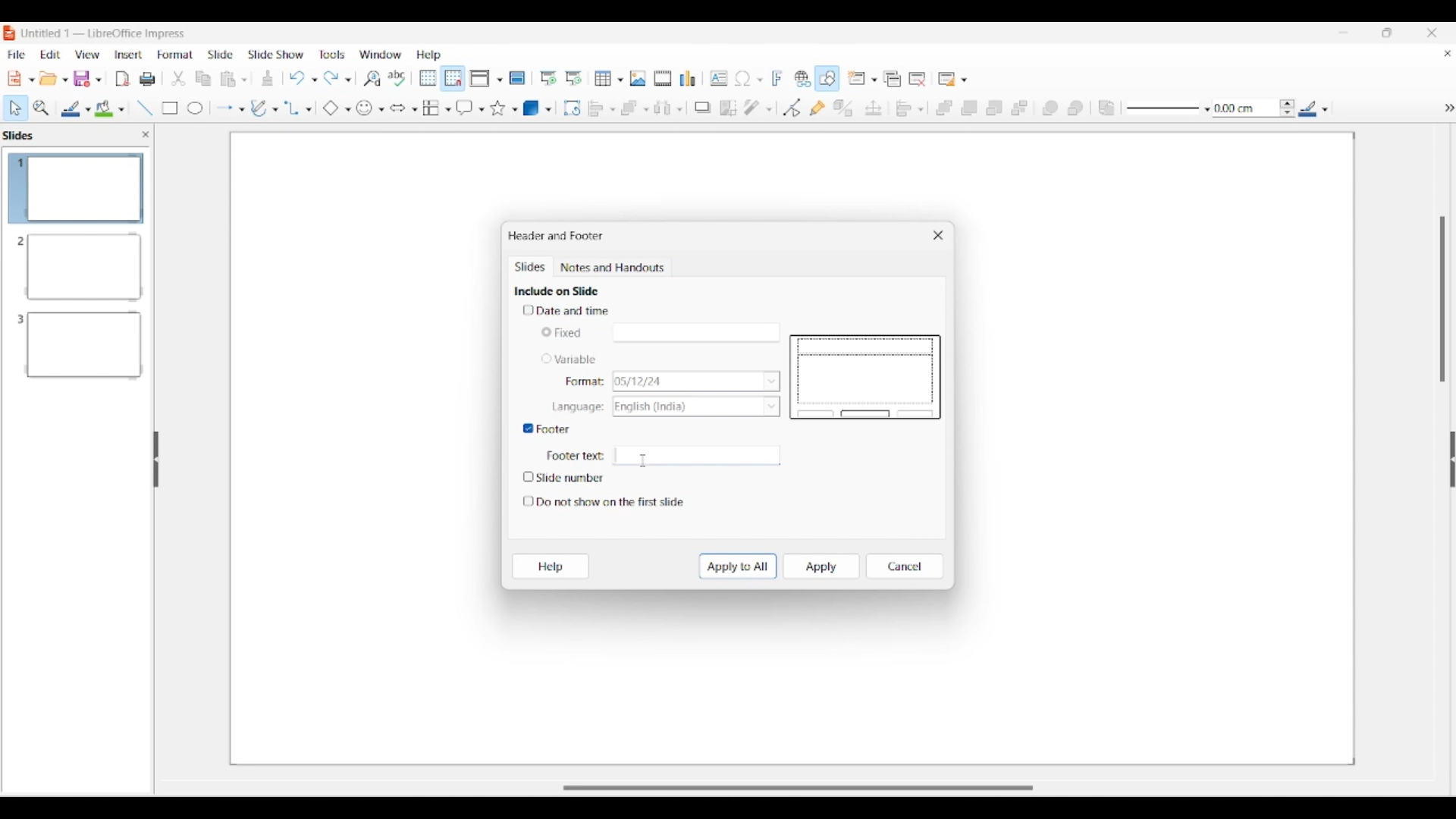 This screenshot has width=1456, height=819. Describe the element at coordinates (938, 235) in the screenshot. I see `Close window` at that location.